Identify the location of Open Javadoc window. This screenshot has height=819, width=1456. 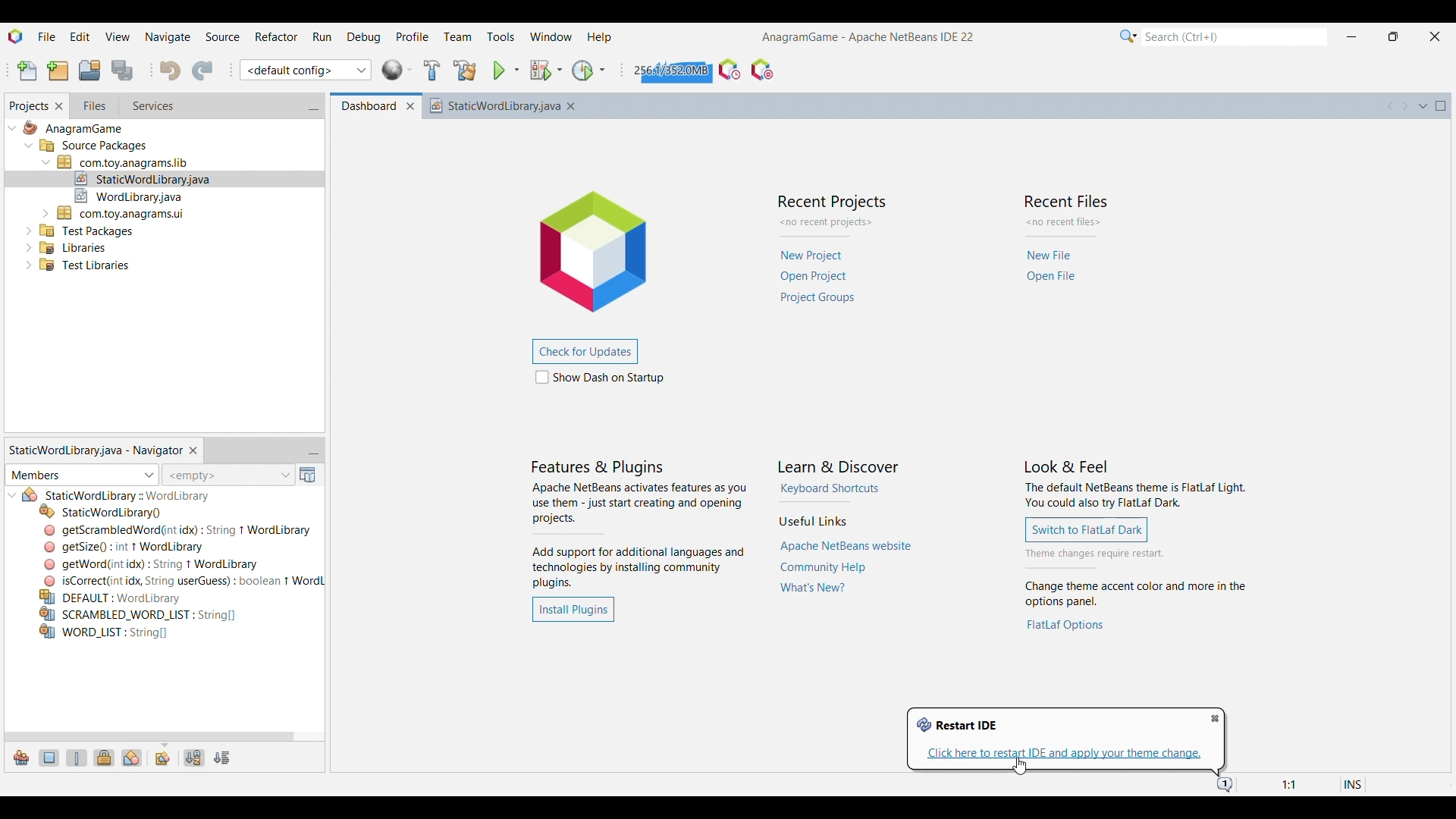
(308, 475).